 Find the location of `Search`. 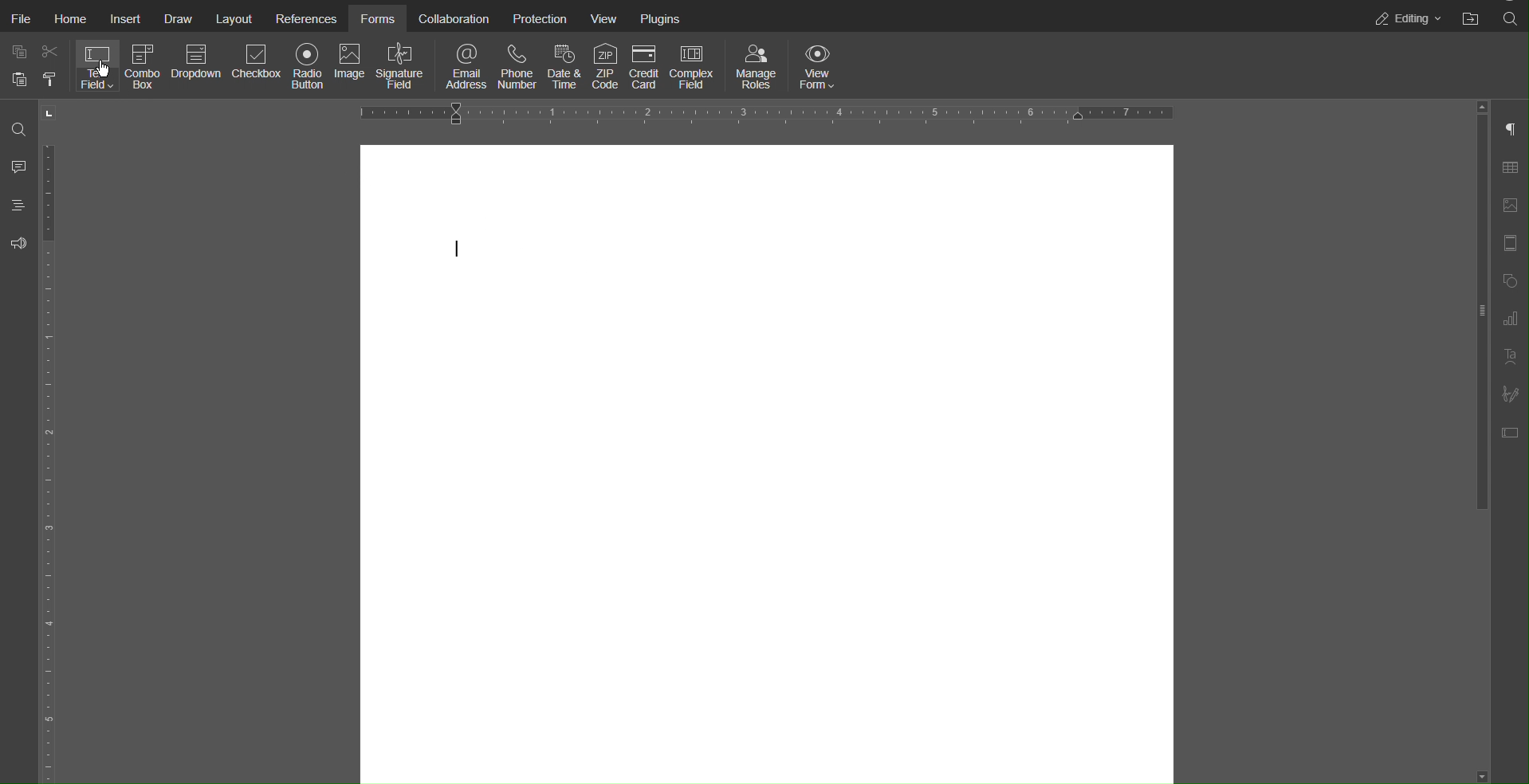

Search is located at coordinates (21, 128).